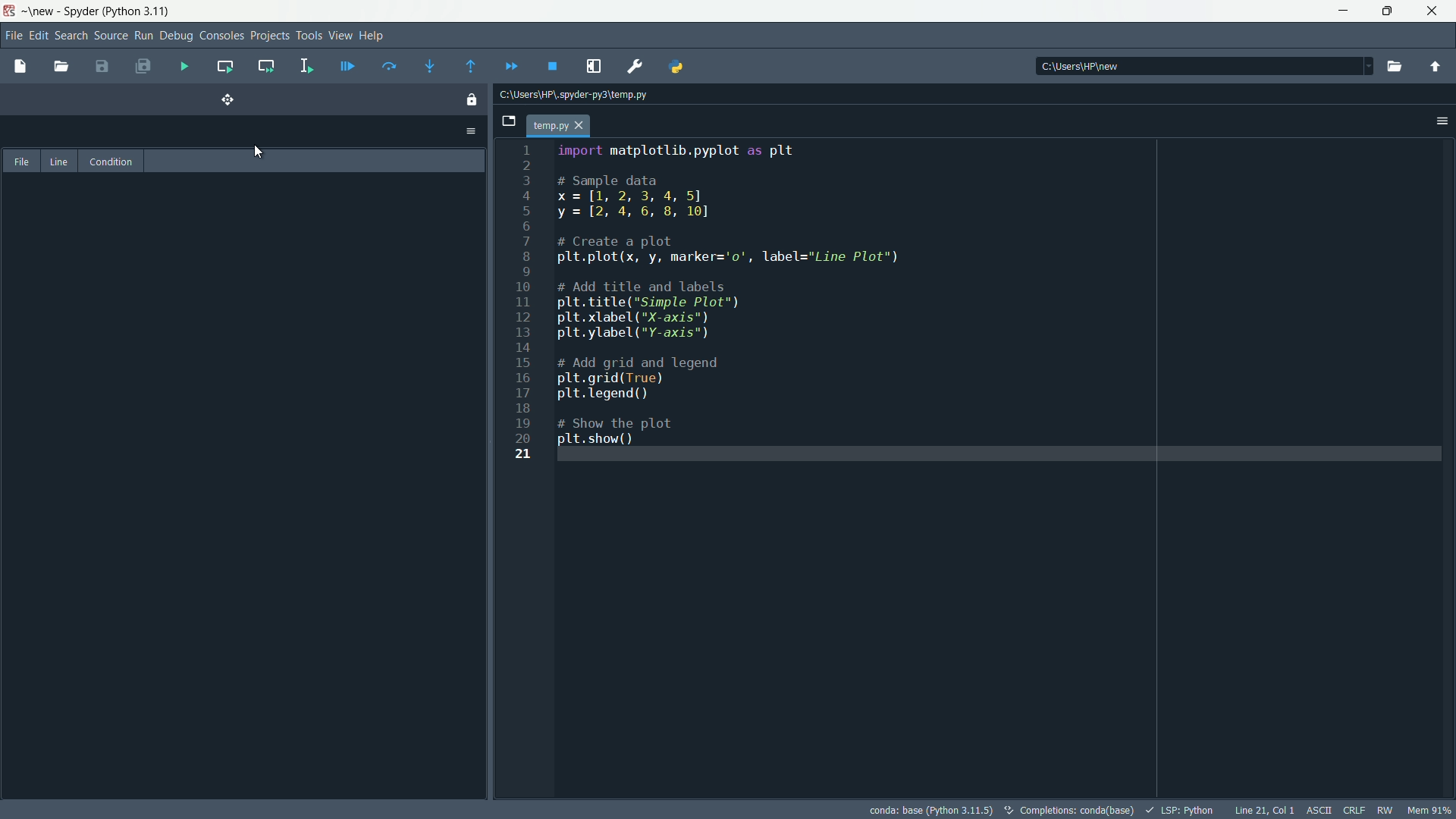 This screenshot has width=1456, height=819. What do you see at coordinates (109, 36) in the screenshot?
I see `source menu` at bounding box center [109, 36].